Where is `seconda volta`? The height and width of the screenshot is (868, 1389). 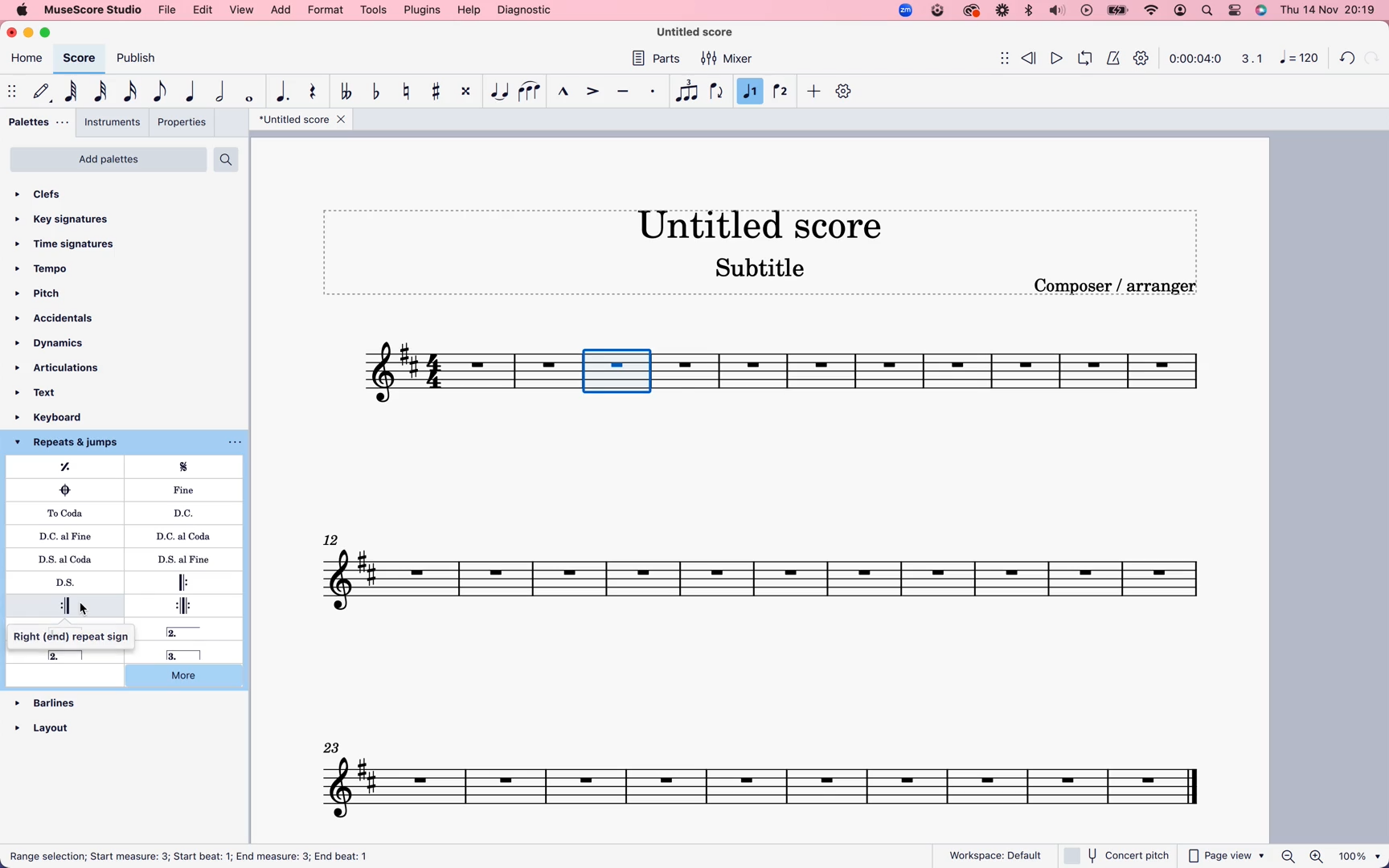 seconda volta is located at coordinates (194, 632).